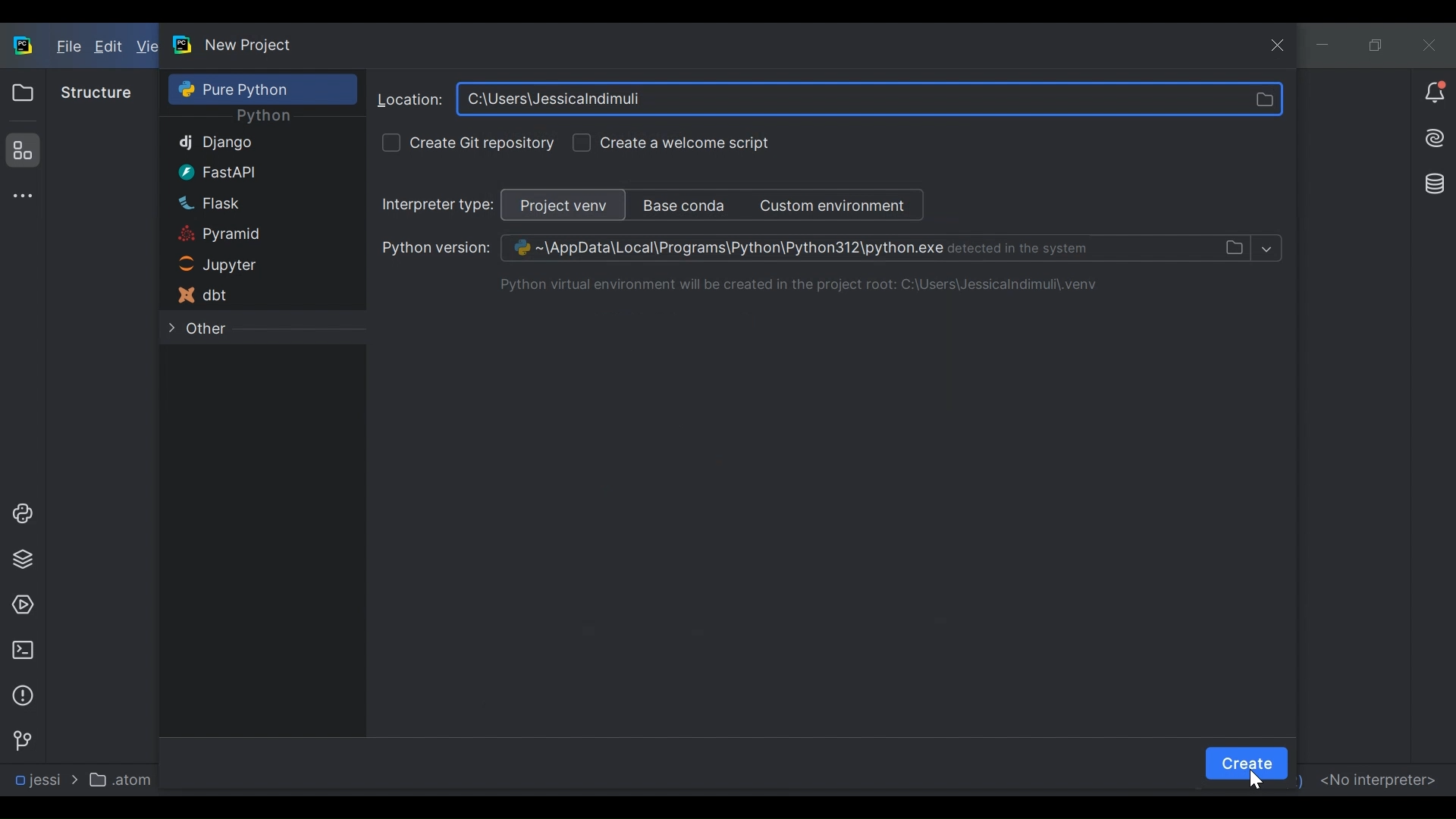  Describe the element at coordinates (240, 266) in the screenshot. I see `Jupyter` at that location.